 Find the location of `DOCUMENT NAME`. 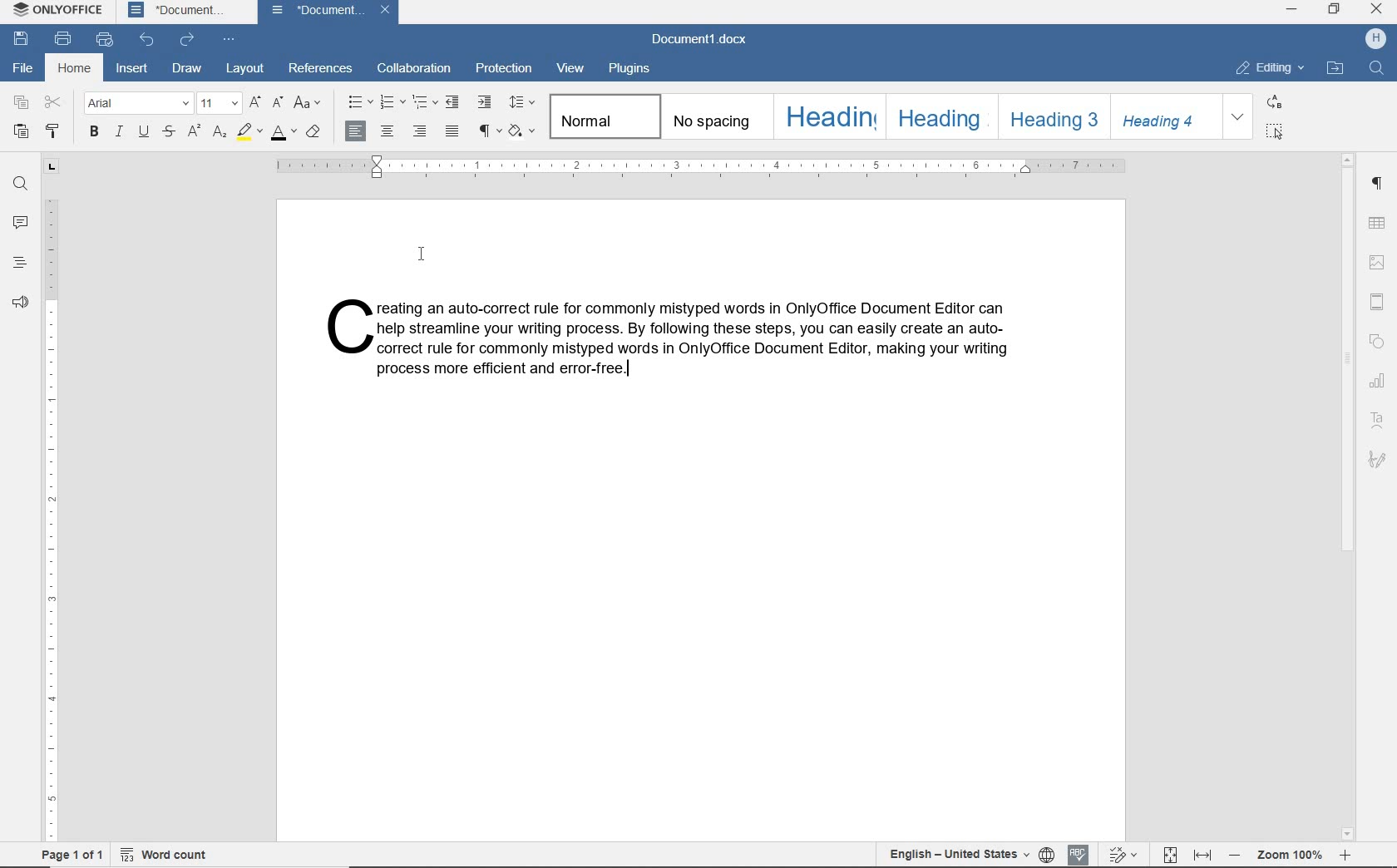

DOCUMENT NAME is located at coordinates (176, 11).